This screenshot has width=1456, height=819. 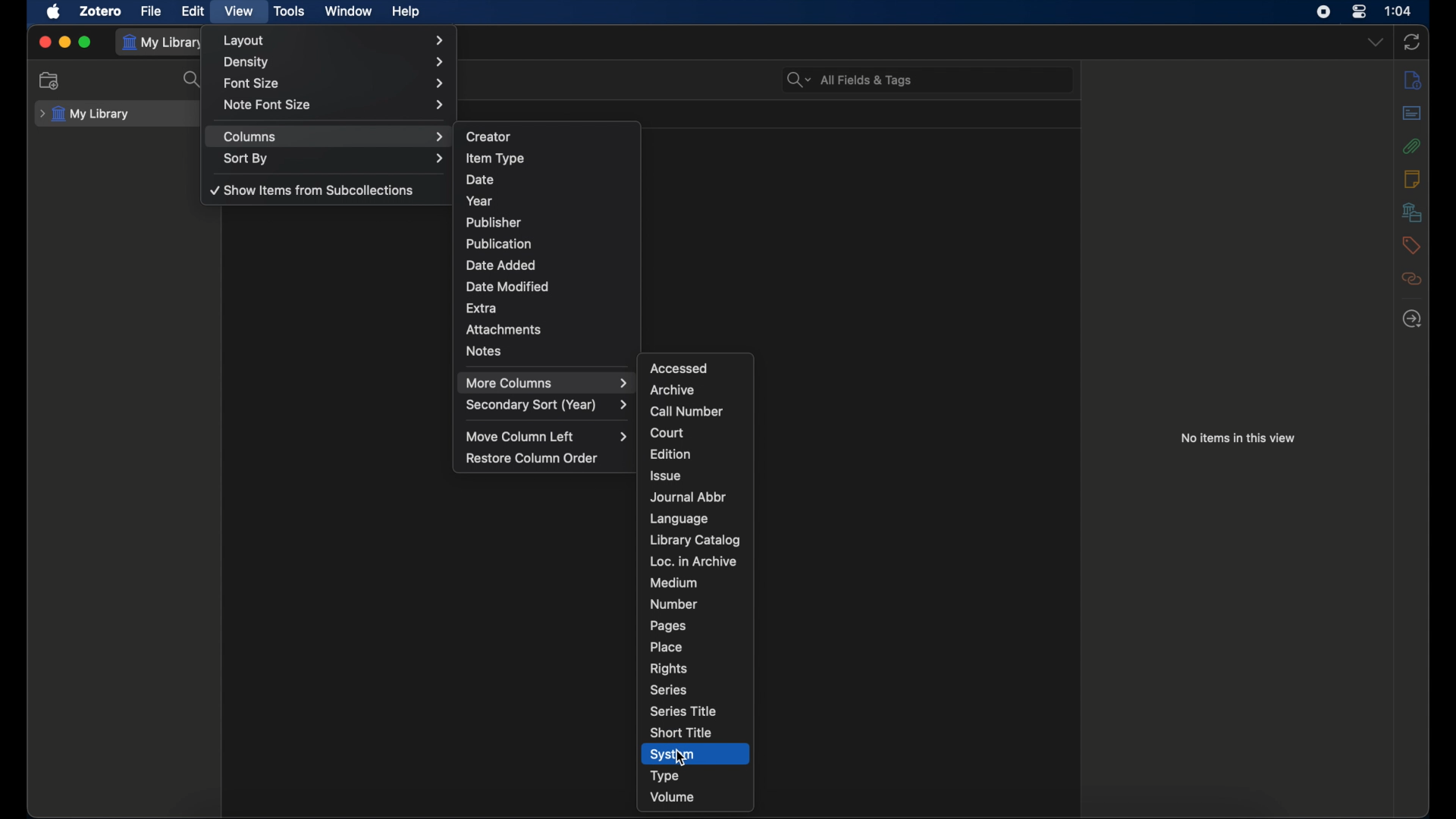 What do you see at coordinates (546, 383) in the screenshot?
I see `more columns` at bounding box center [546, 383].